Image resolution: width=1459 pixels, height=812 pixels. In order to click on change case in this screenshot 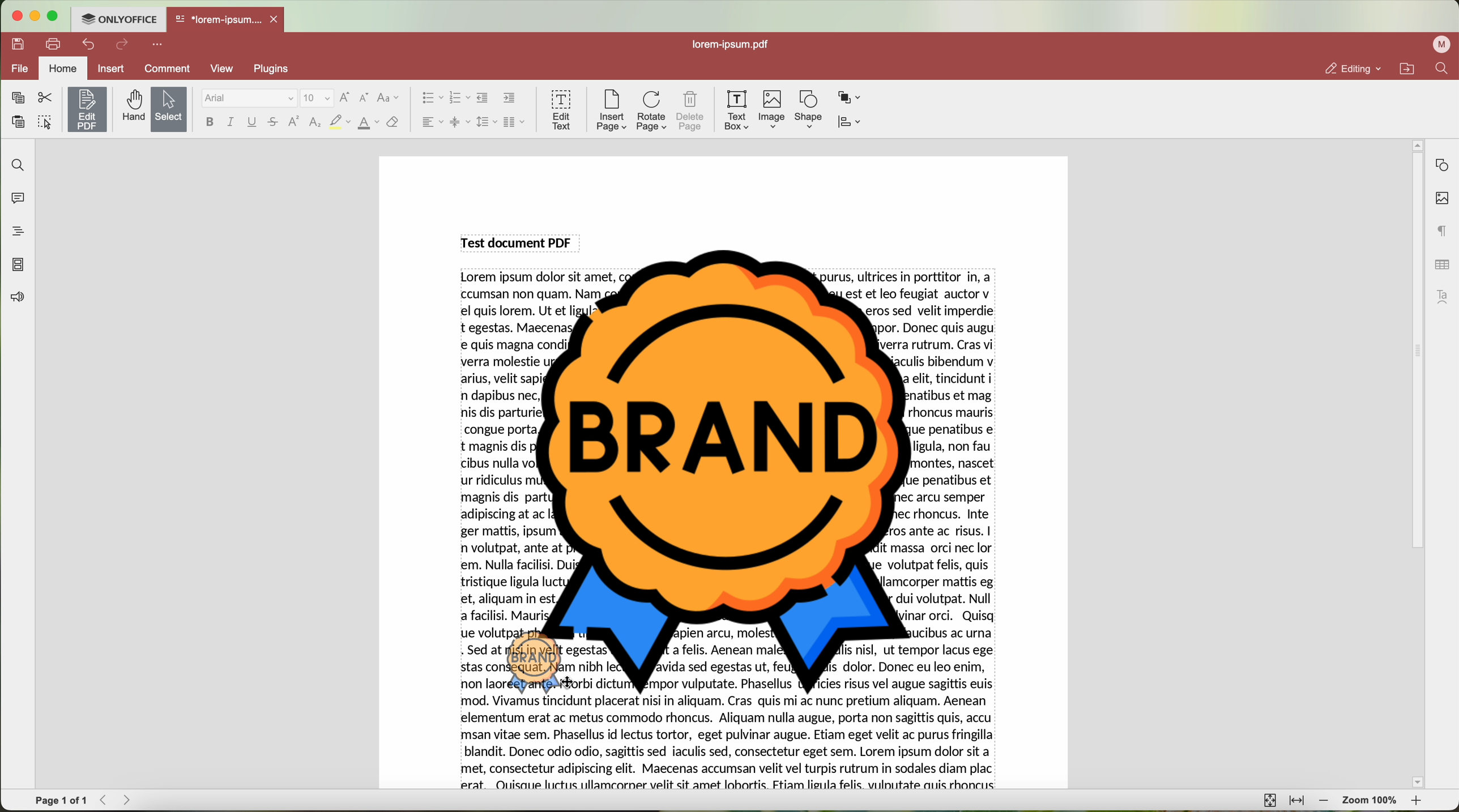, I will do `click(388, 98)`.